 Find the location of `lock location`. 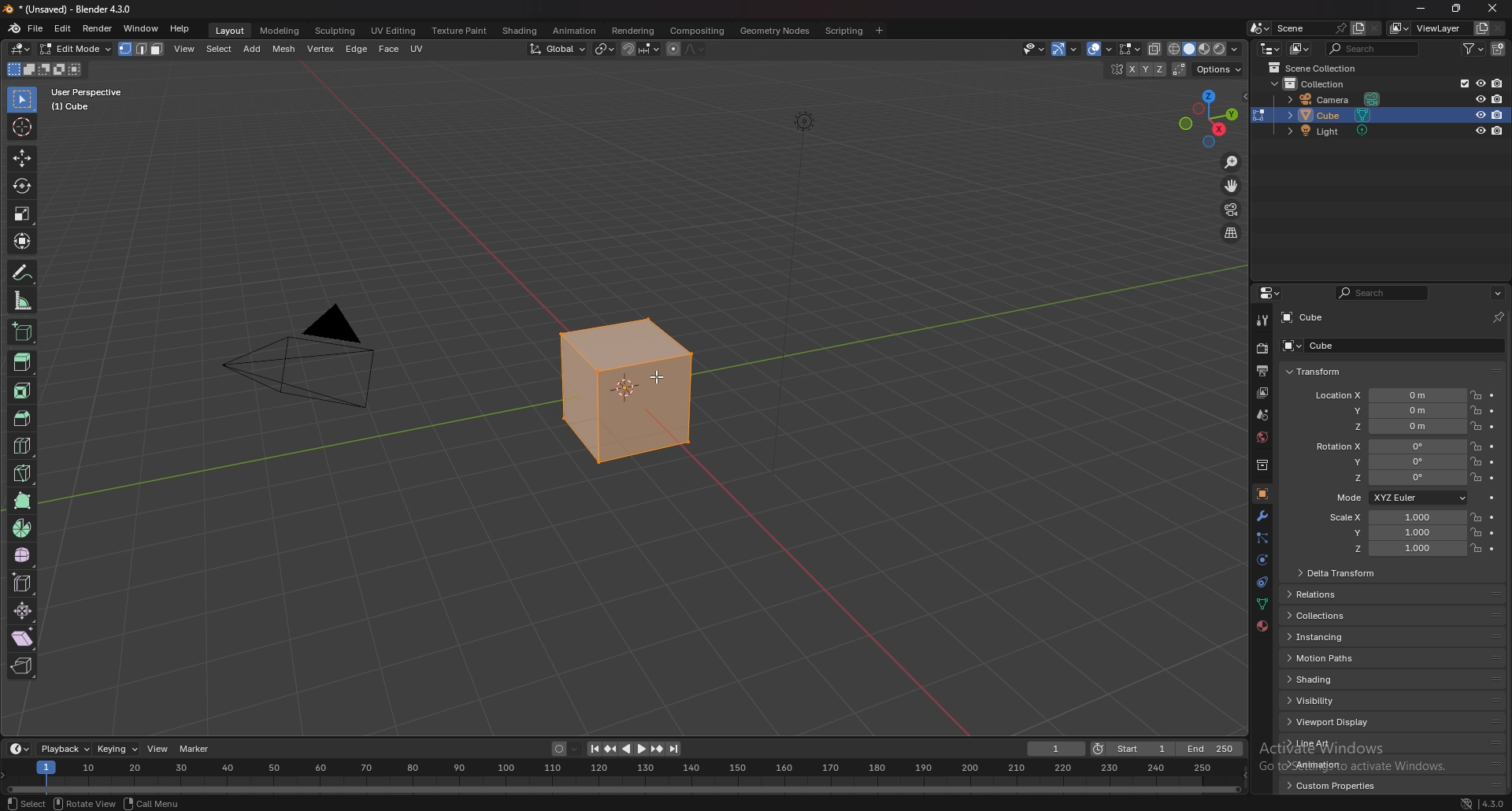

lock location is located at coordinates (1476, 477).